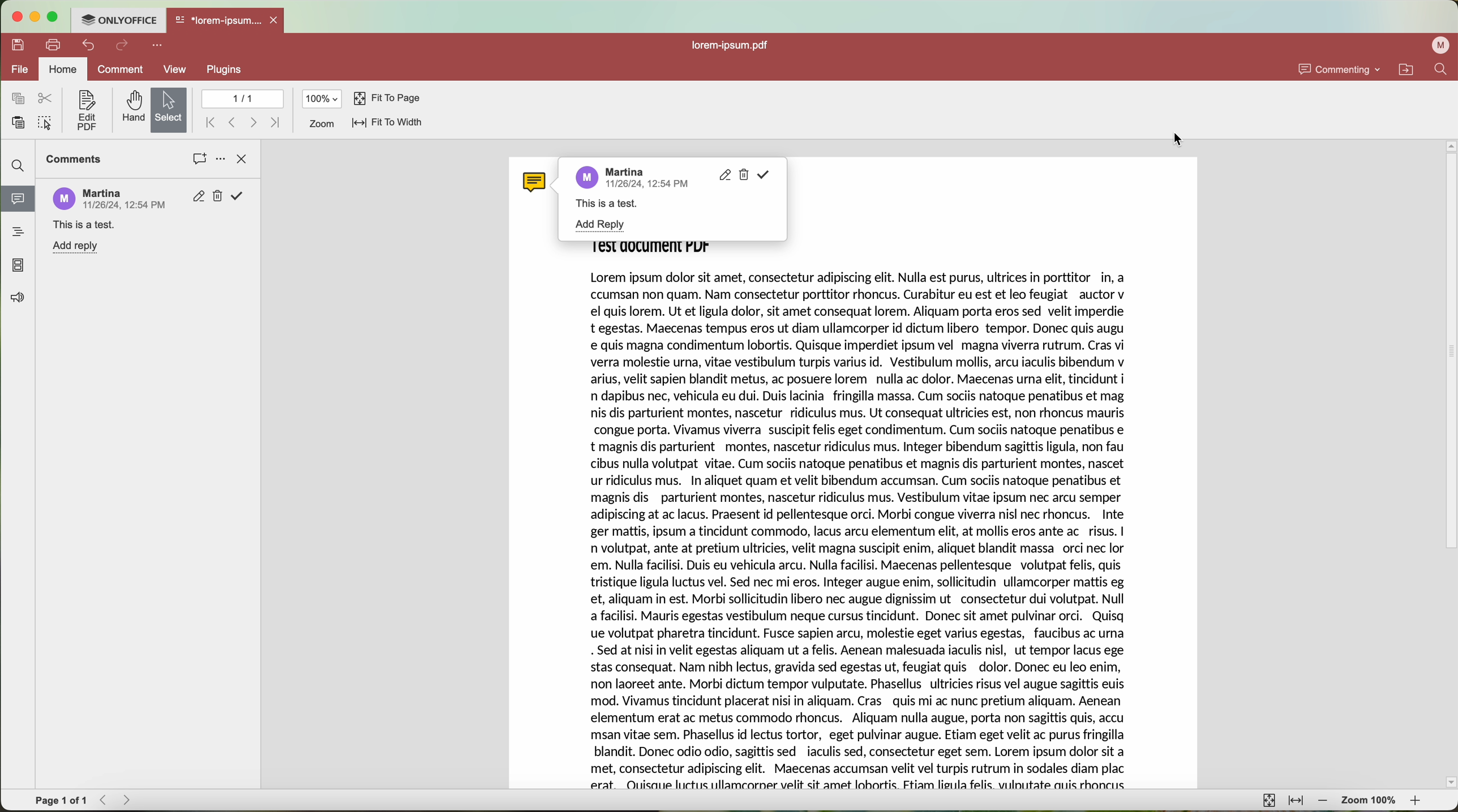  I want to click on close program, so click(15, 18).